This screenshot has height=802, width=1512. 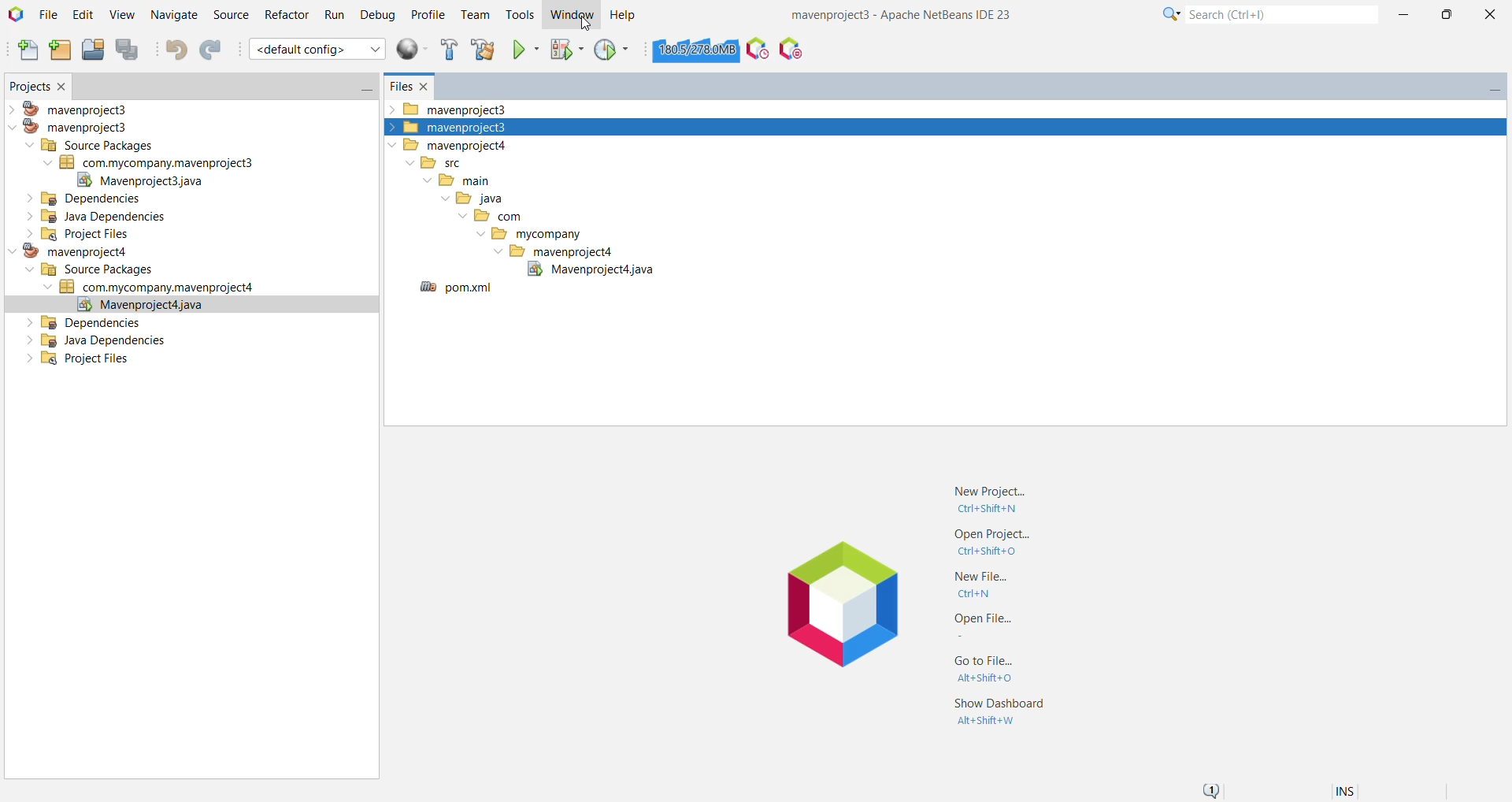 What do you see at coordinates (284, 16) in the screenshot?
I see `Refactor` at bounding box center [284, 16].